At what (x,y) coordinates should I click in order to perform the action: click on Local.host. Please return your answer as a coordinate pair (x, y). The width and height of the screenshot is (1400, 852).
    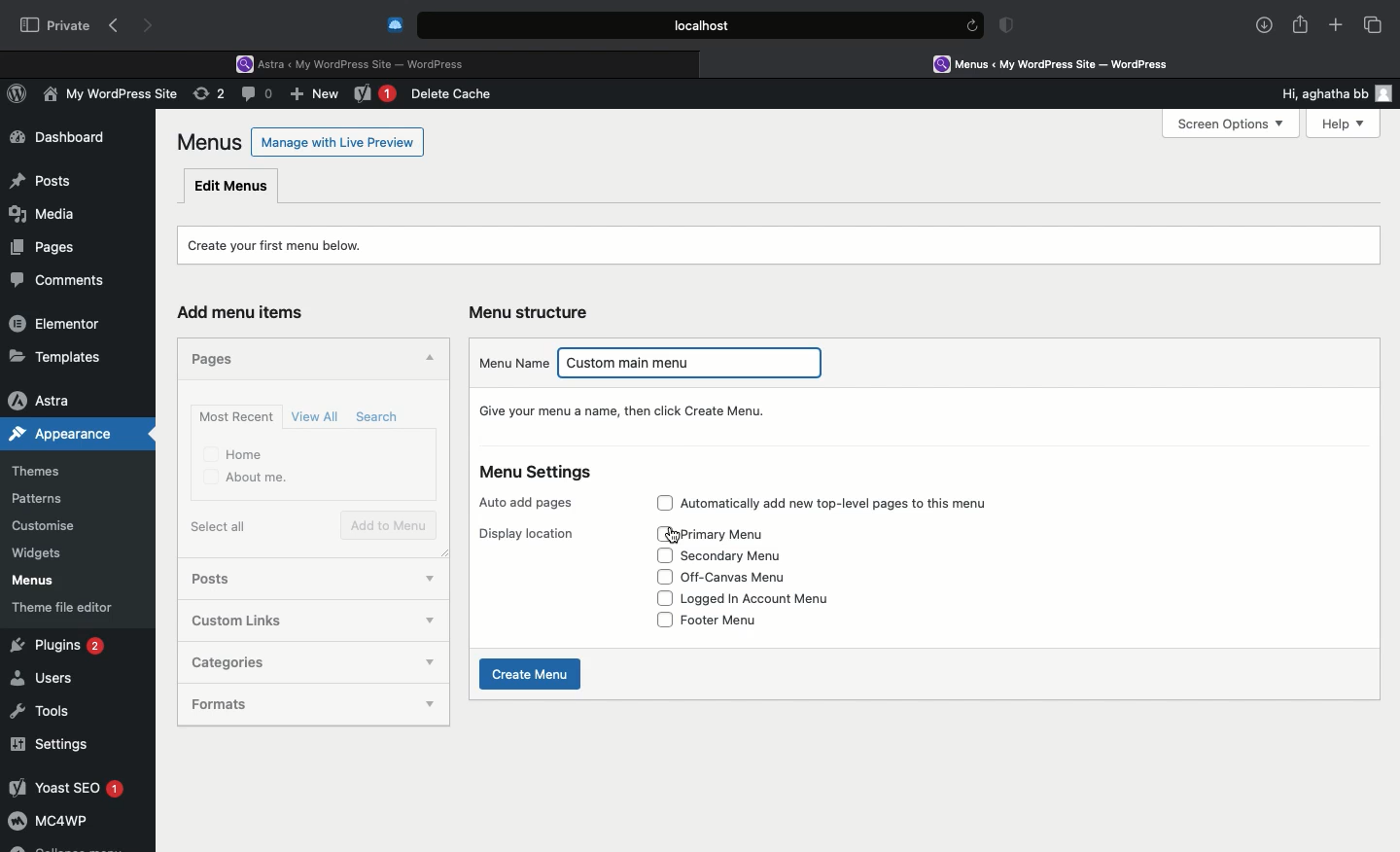
    Looking at the image, I should click on (702, 24).